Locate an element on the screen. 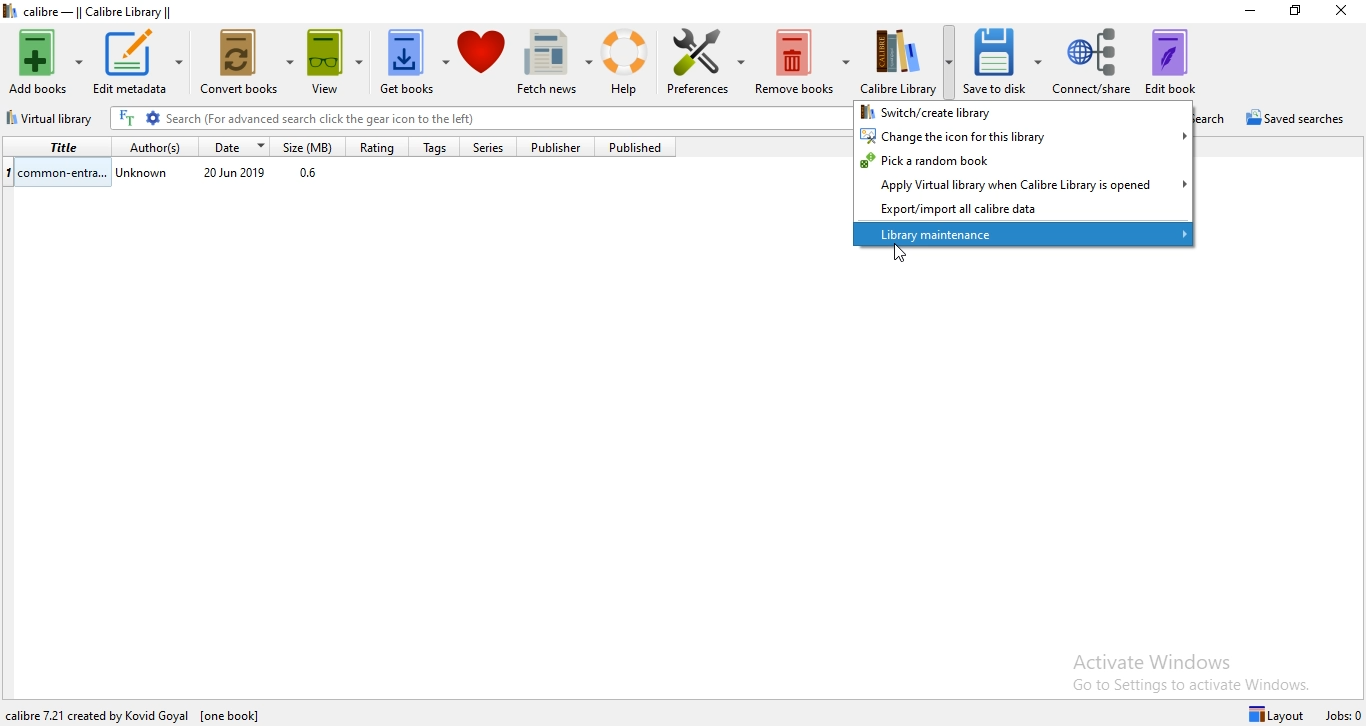 This screenshot has height=726, width=1366. Close is located at coordinates (1339, 15).